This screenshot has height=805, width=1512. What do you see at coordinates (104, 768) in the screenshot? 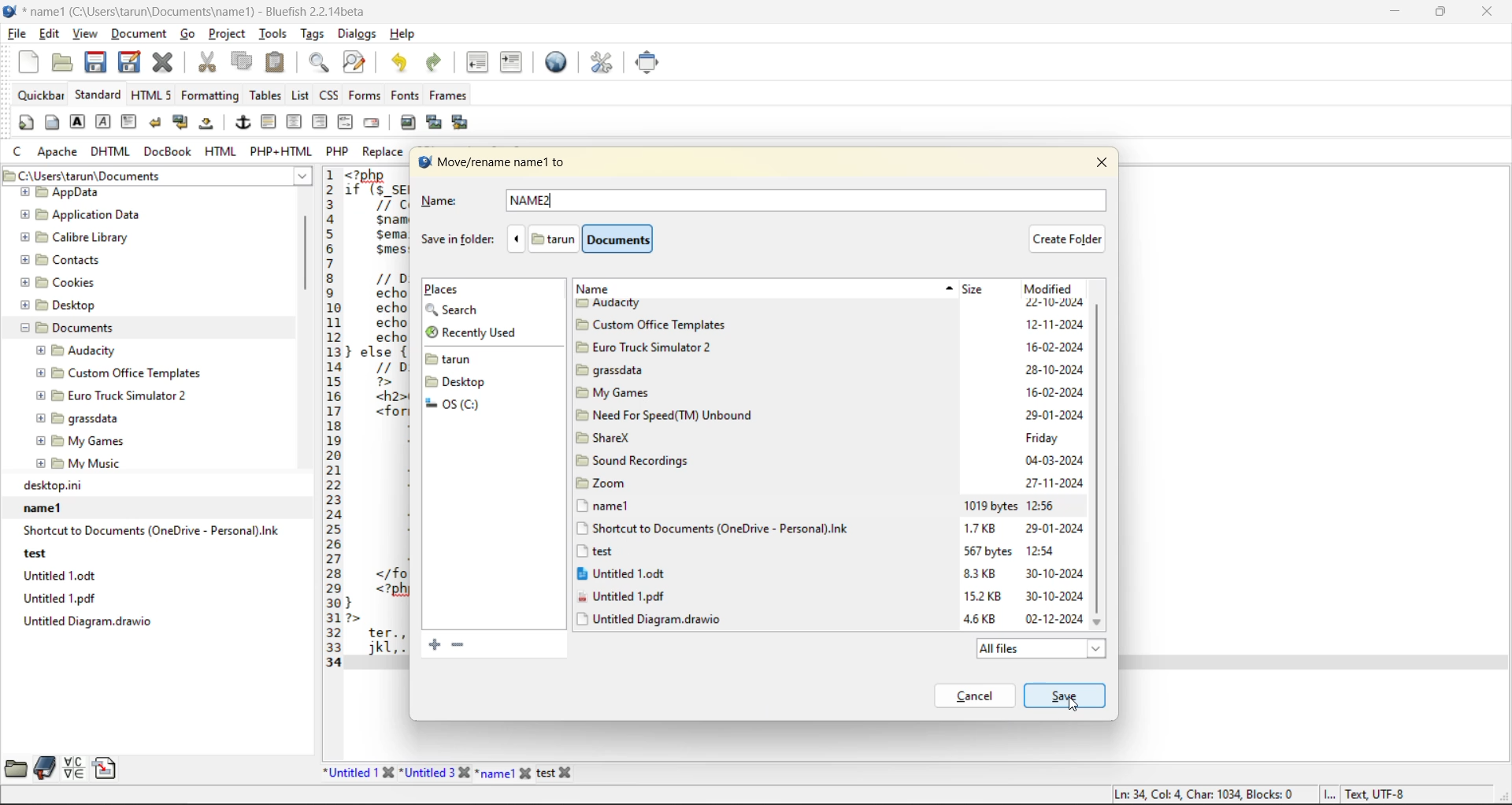
I see `snippets` at bounding box center [104, 768].